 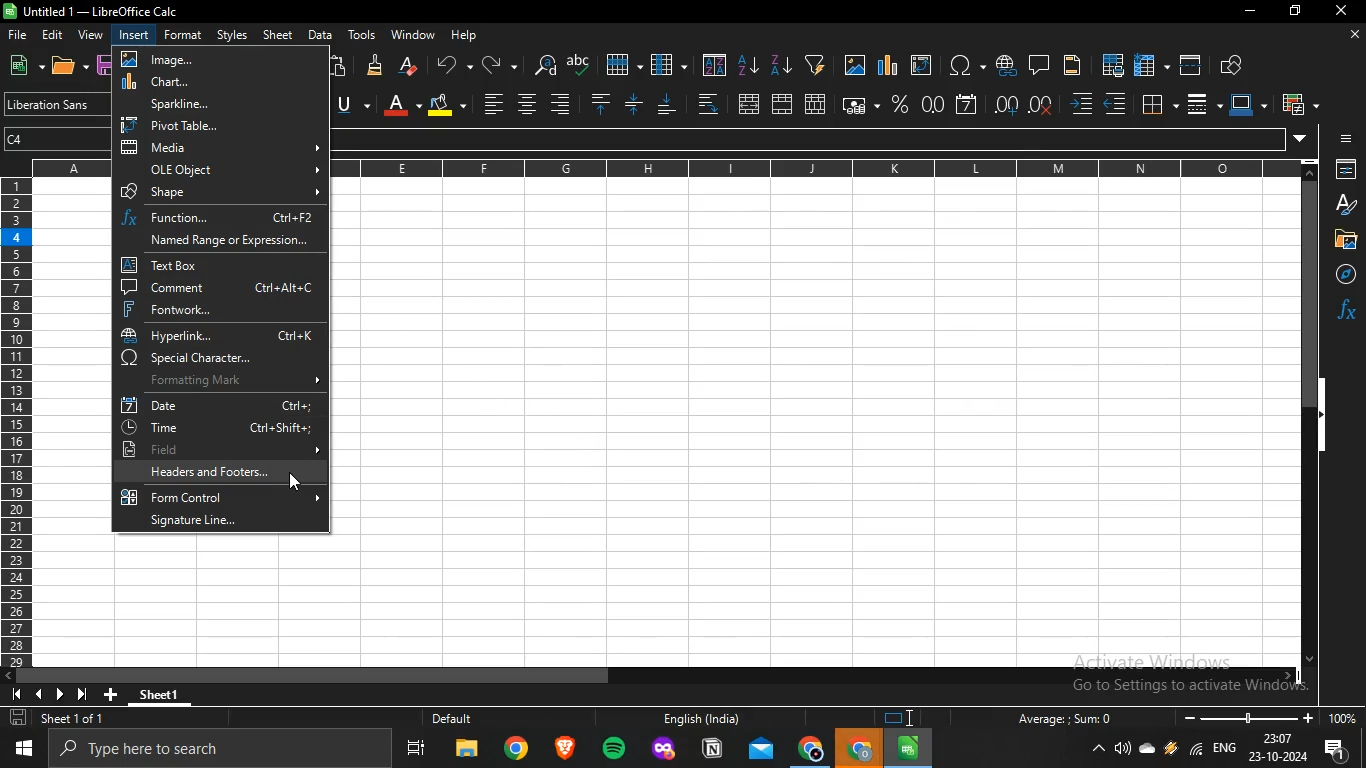 What do you see at coordinates (888, 65) in the screenshot?
I see `insert charts` at bounding box center [888, 65].